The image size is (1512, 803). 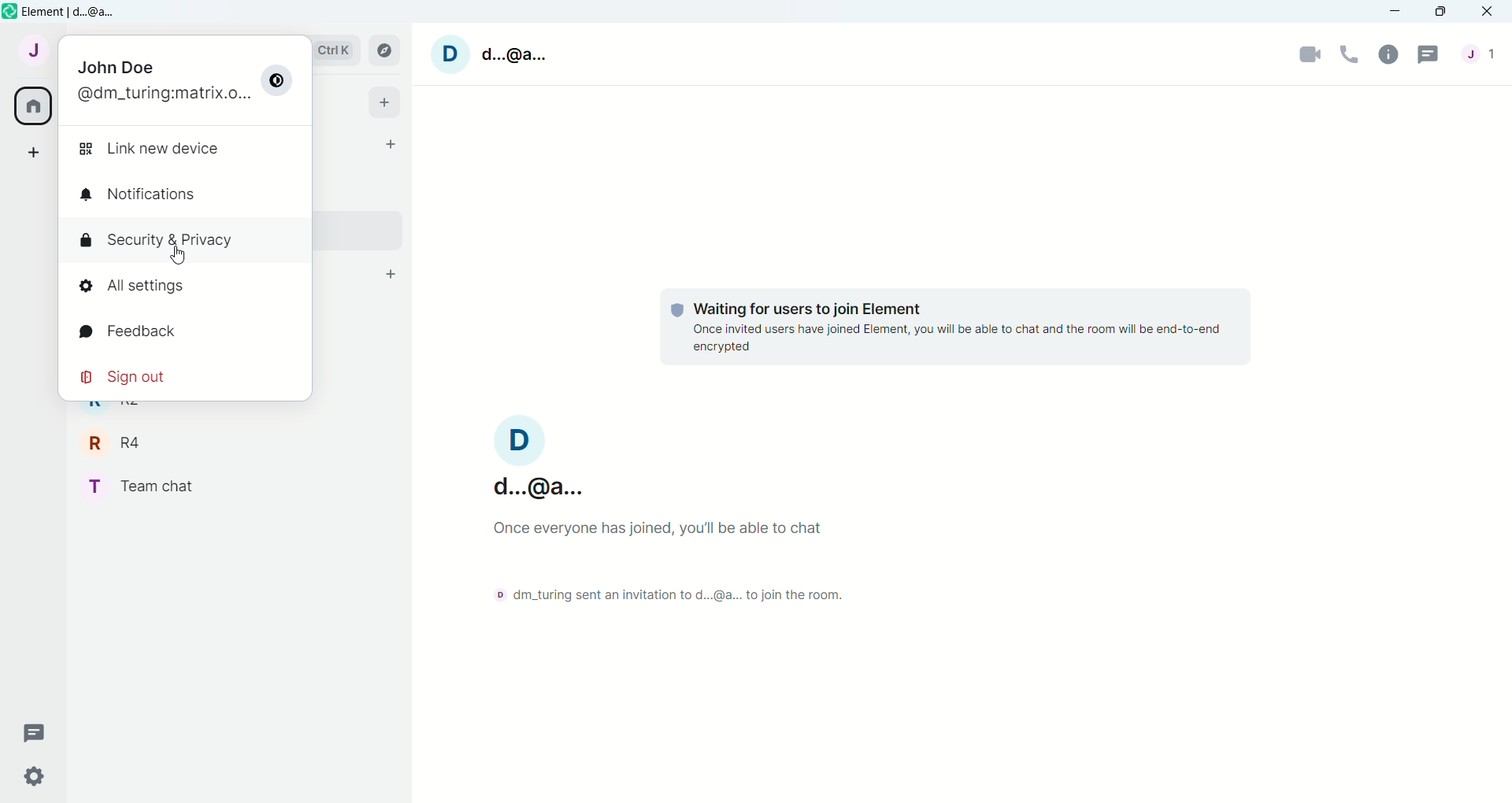 I want to click on explore, so click(x=385, y=50).